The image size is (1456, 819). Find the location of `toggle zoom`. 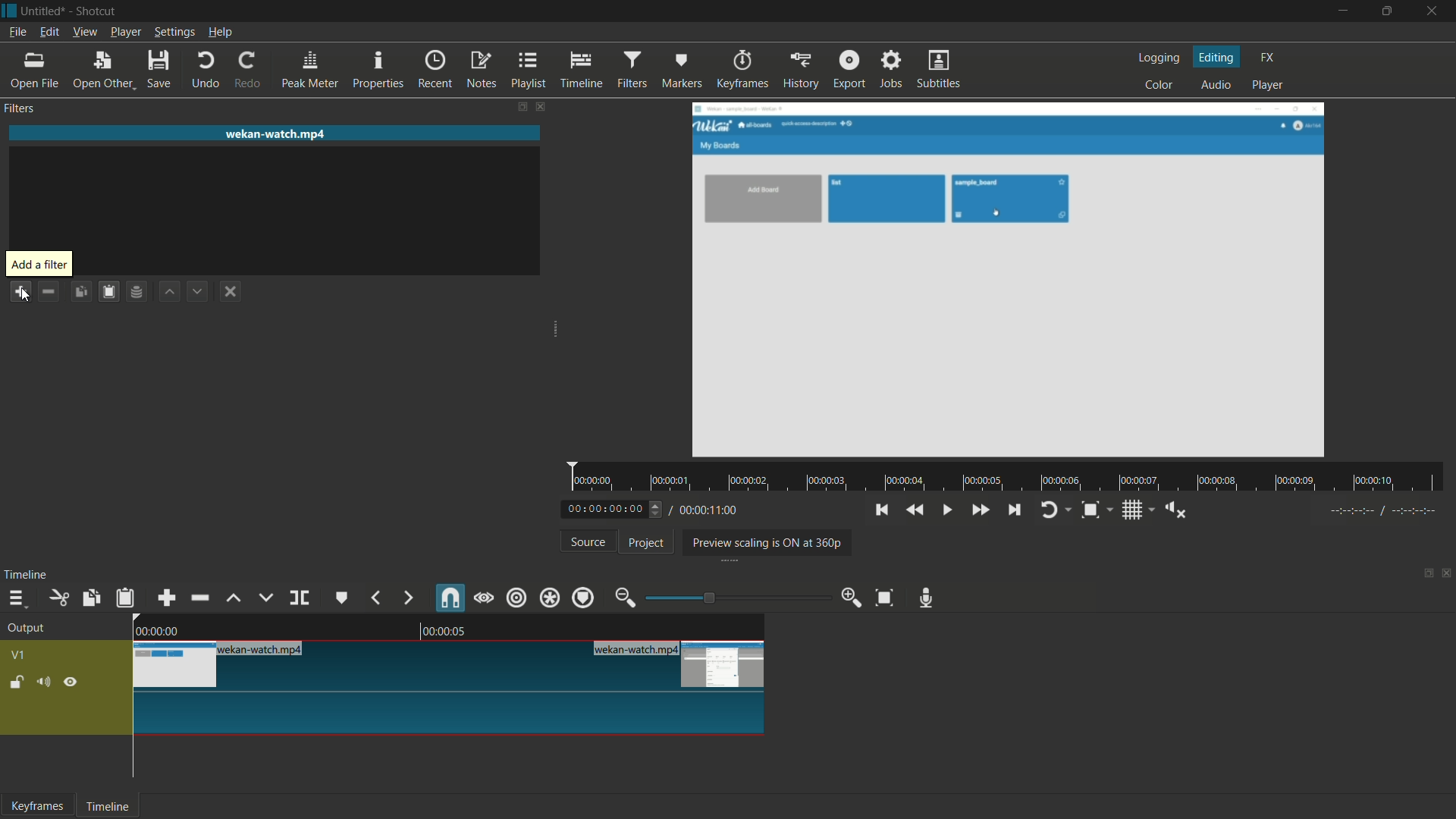

toggle zoom is located at coordinates (1095, 510).